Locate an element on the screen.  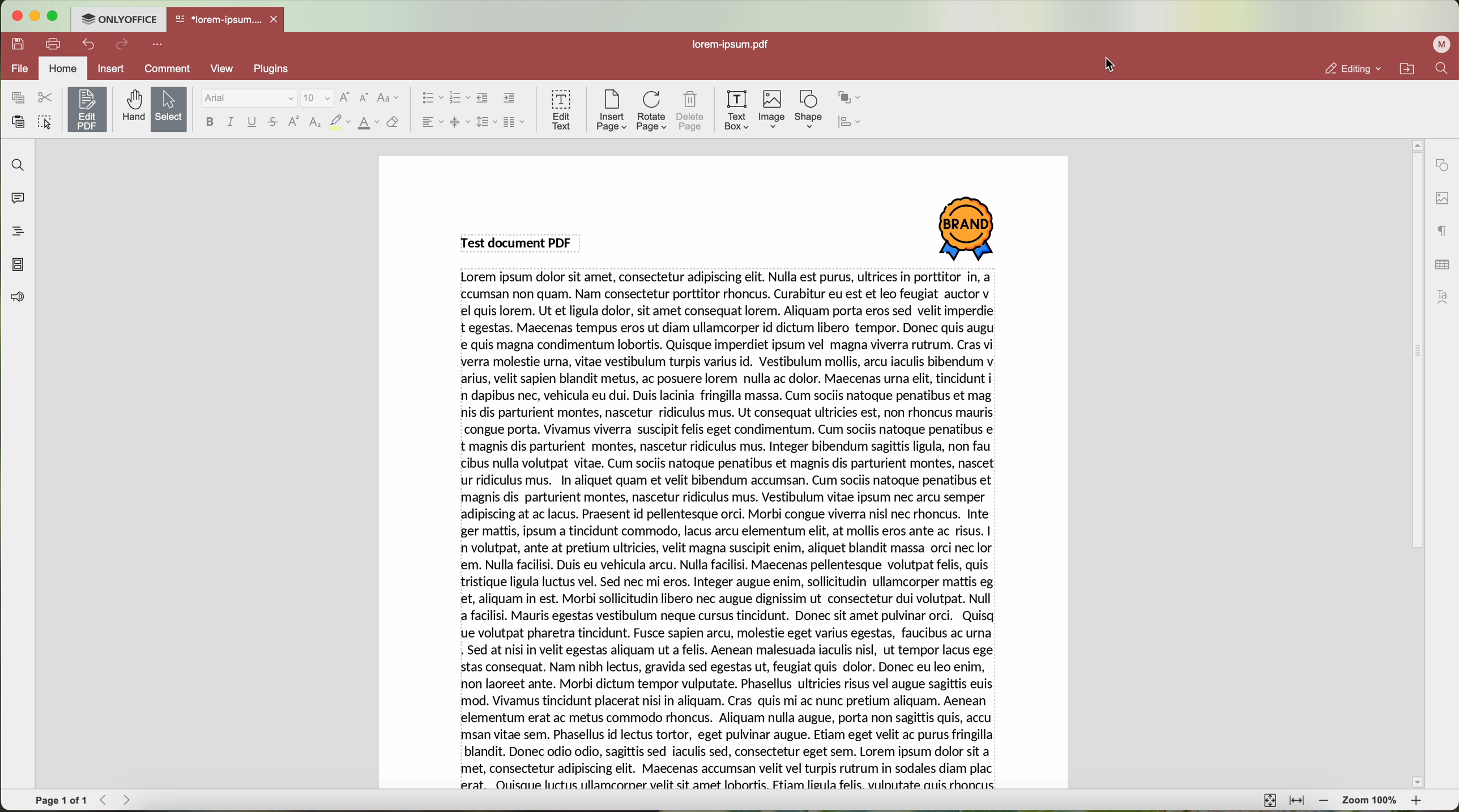
horizontal align is located at coordinates (431, 122).